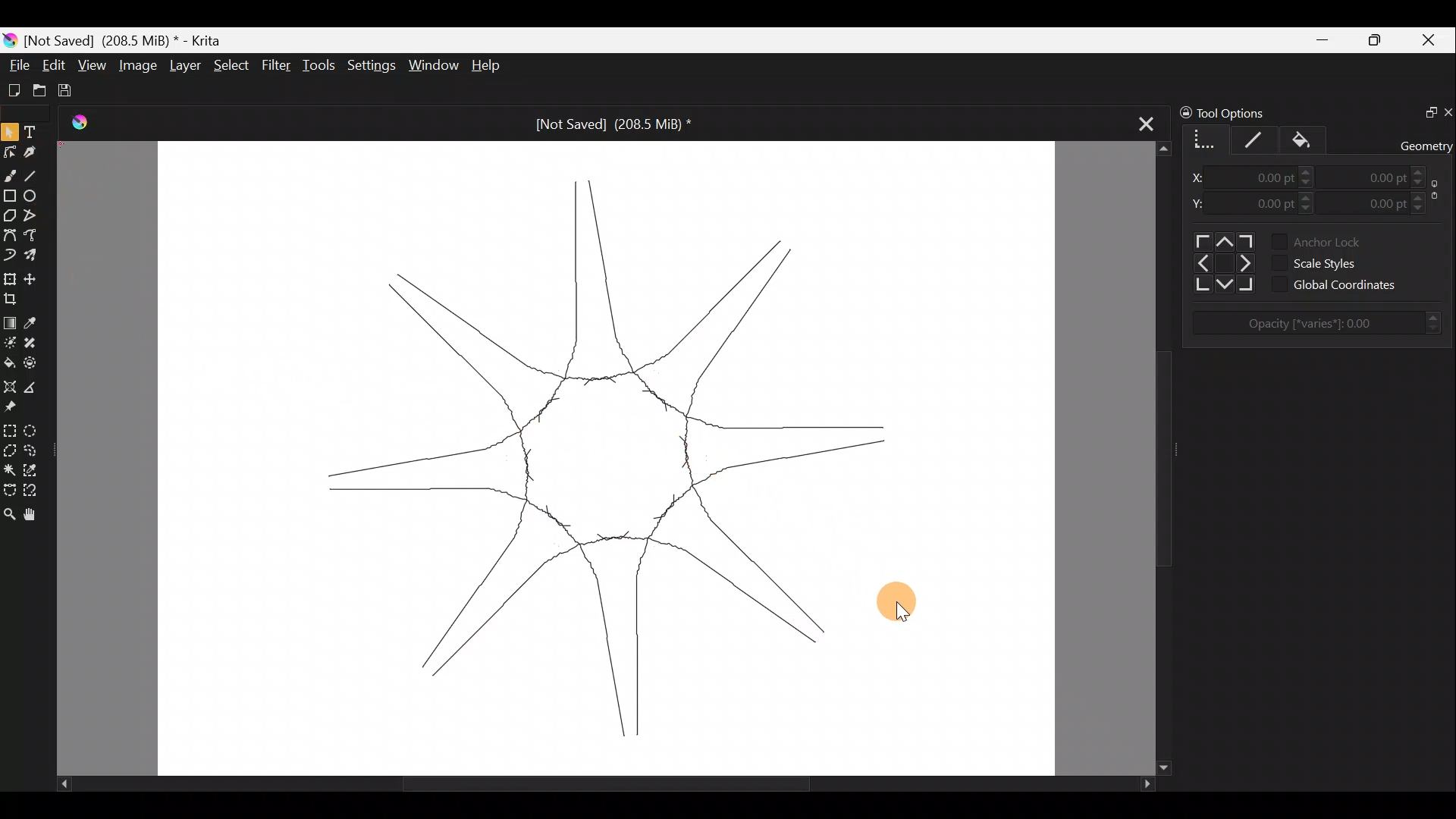  I want to click on Transform a layer/selection, so click(10, 278).